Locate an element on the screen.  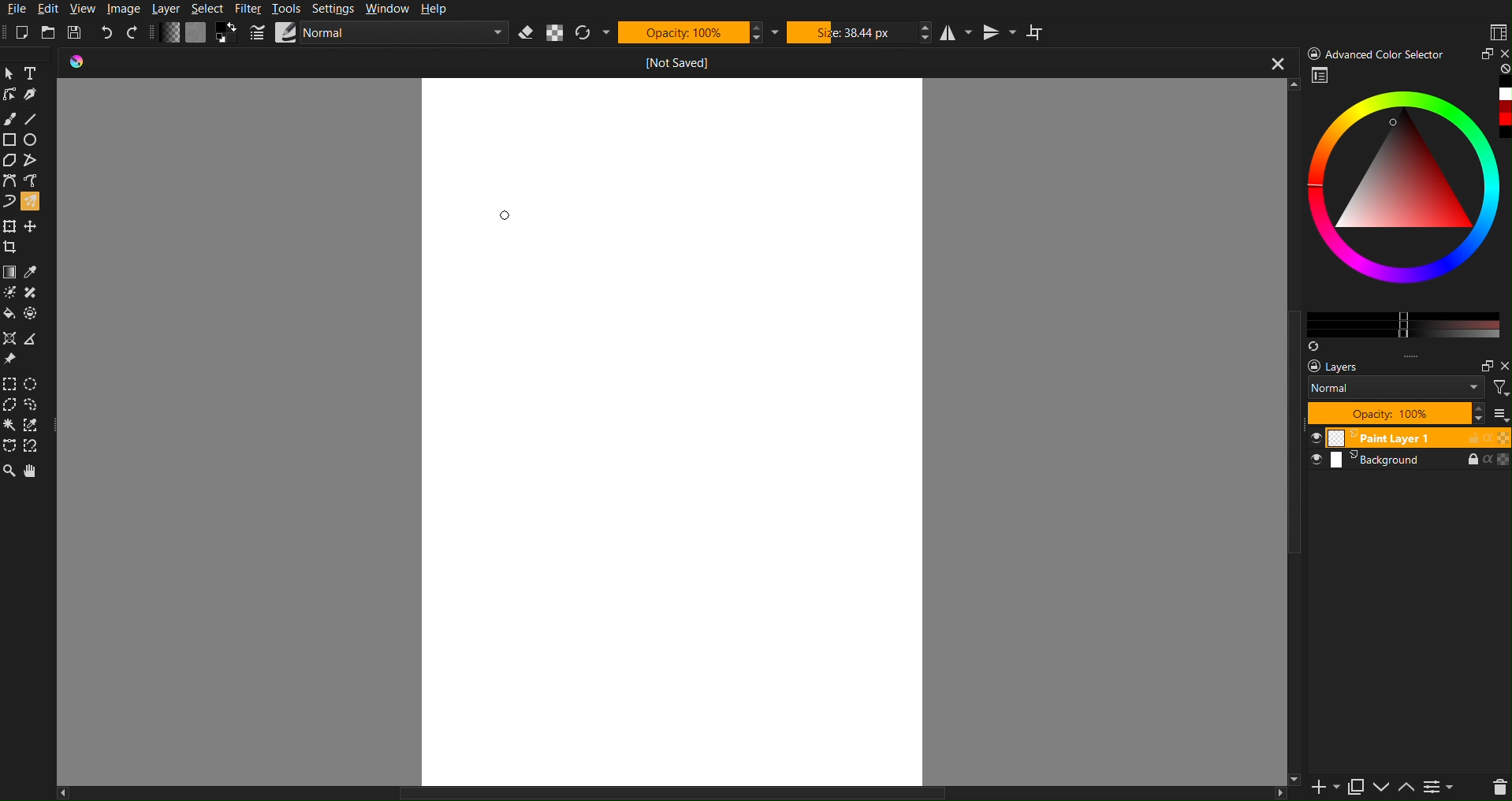
Text is located at coordinates (35, 72).